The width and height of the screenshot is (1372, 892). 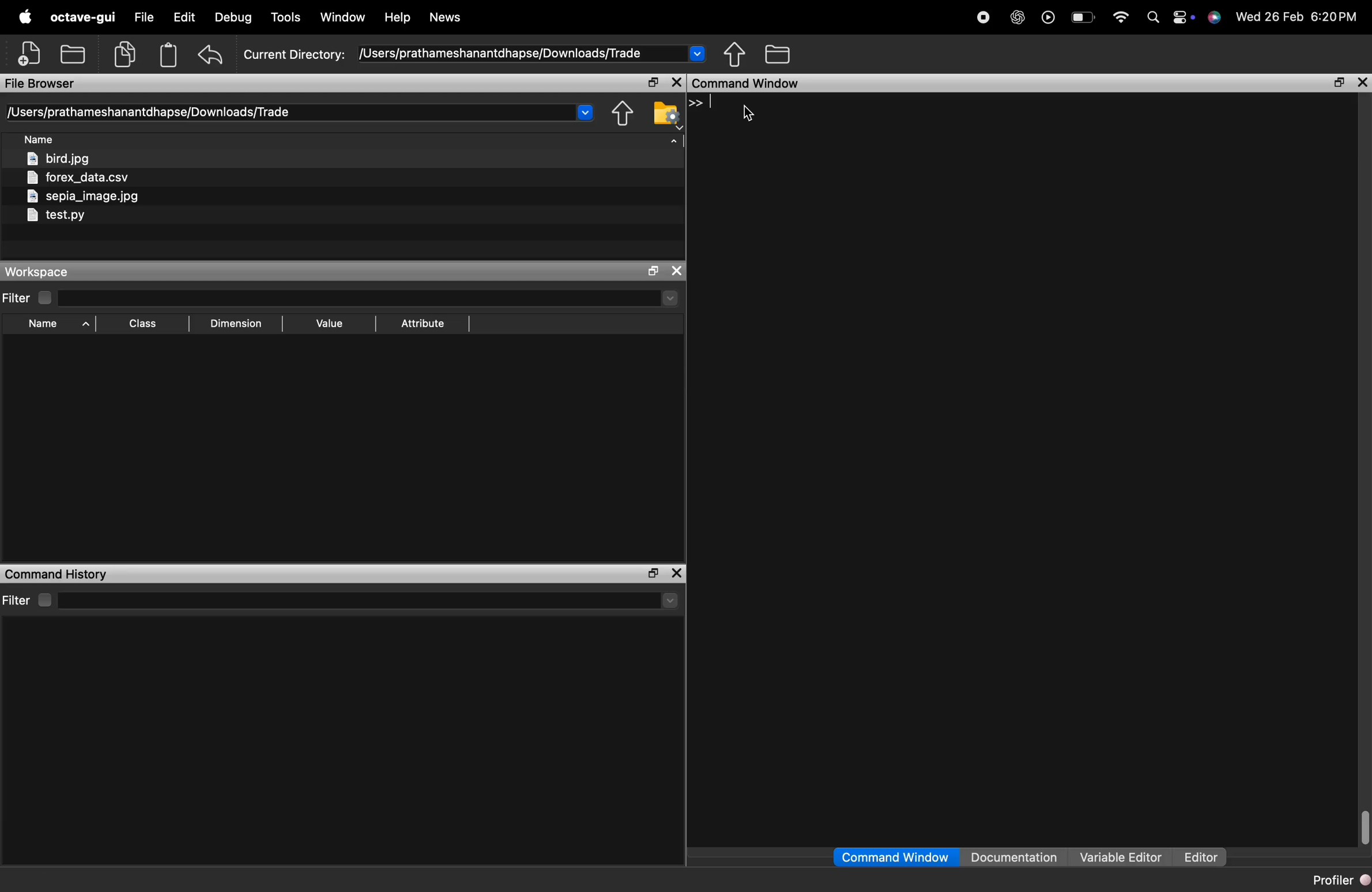 I want to click on undo, so click(x=212, y=55).